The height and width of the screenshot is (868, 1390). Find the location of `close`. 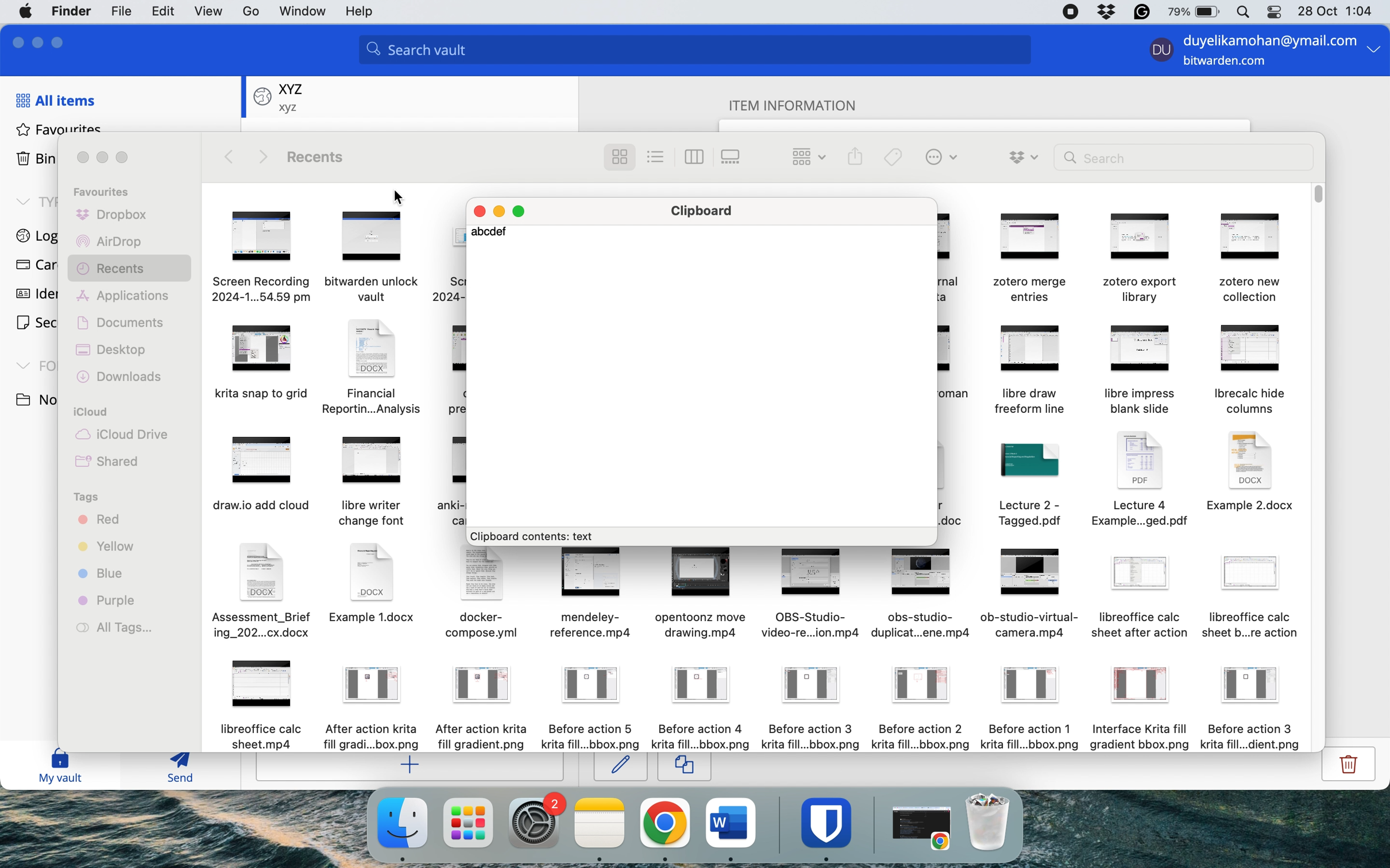

close is located at coordinates (479, 209).